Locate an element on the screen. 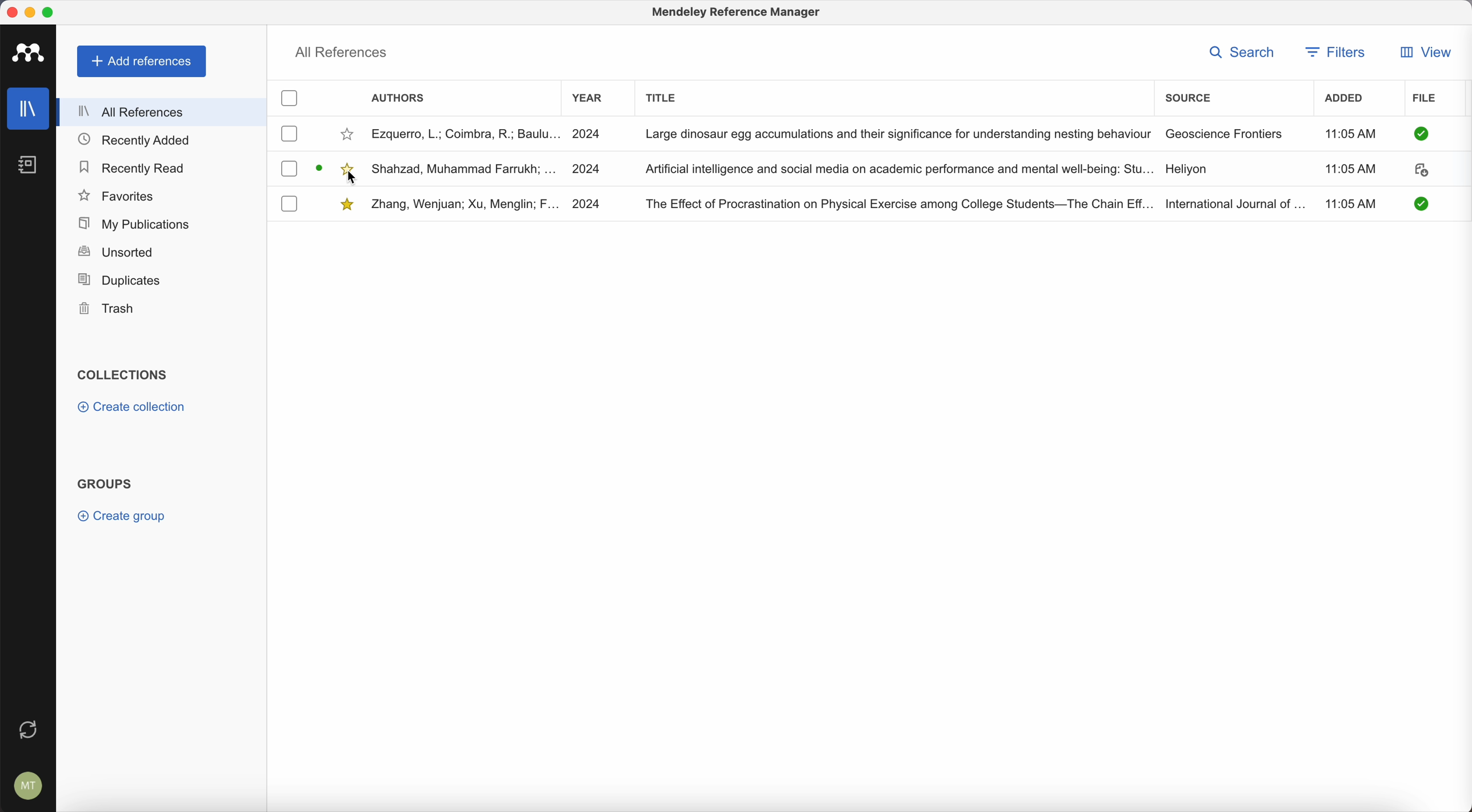 The height and width of the screenshot is (812, 1472). International Journal of... is located at coordinates (1235, 202).